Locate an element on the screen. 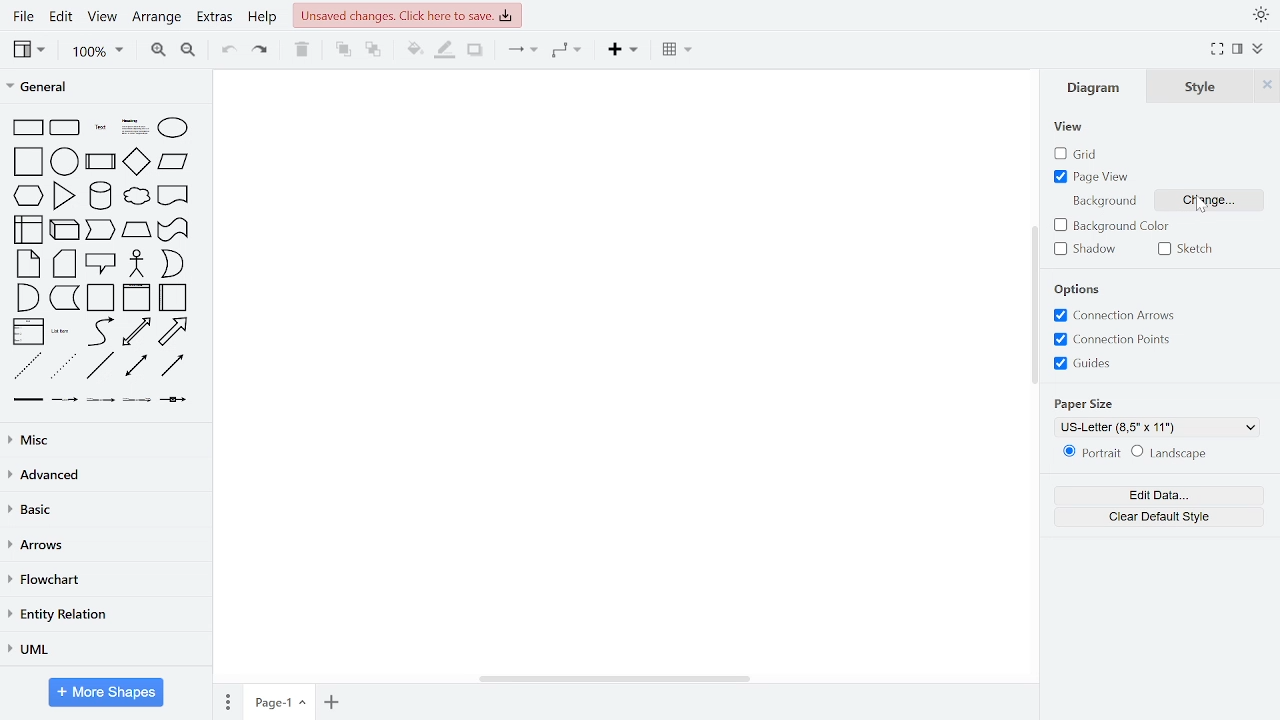 The width and height of the screenshot is (1280, 720). sketch is located at coordinates (1184, 250).